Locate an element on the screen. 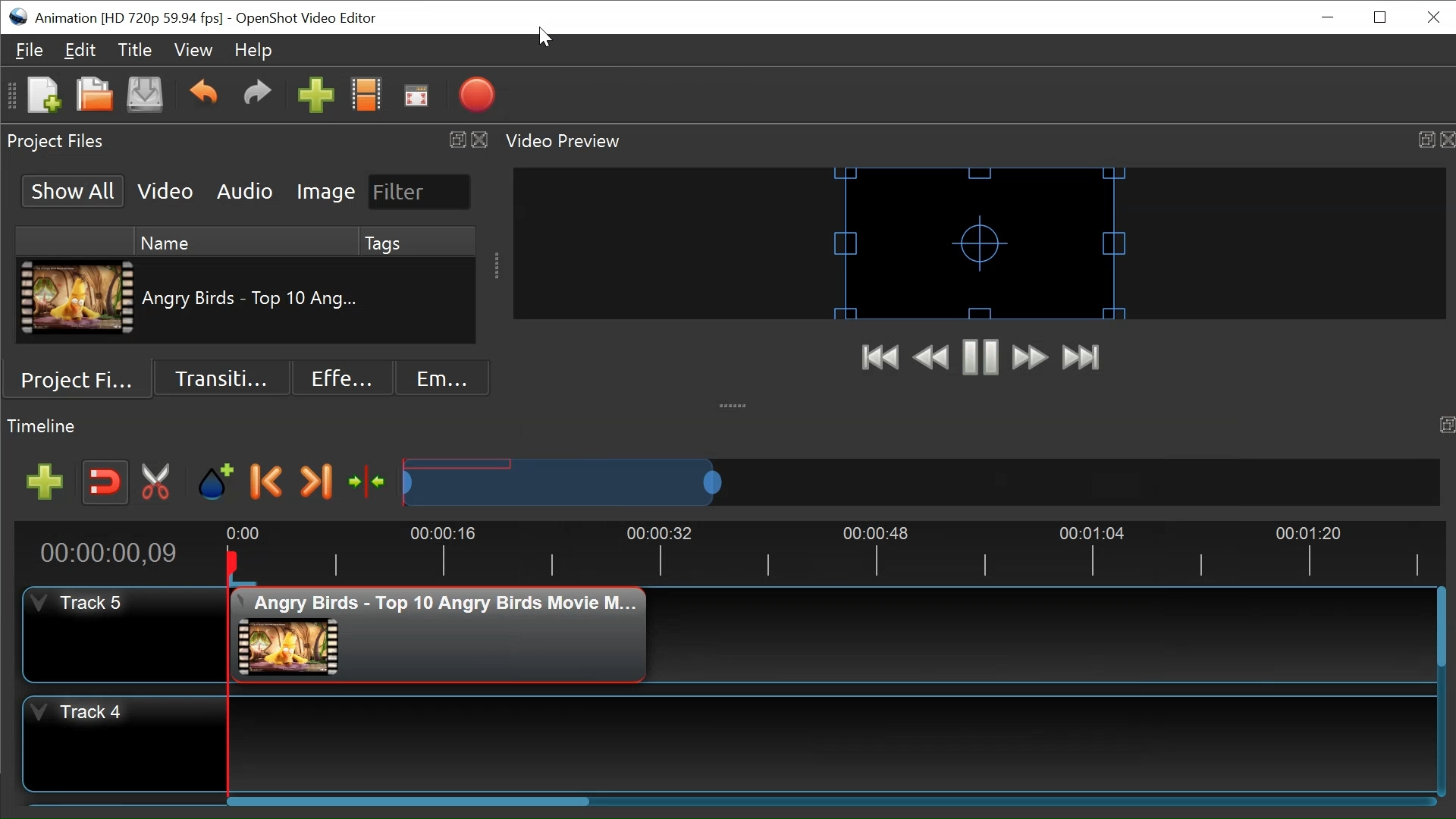 This screenshot has height=819, width=1456. Zoom Slider is located at coordinates (921, 482).